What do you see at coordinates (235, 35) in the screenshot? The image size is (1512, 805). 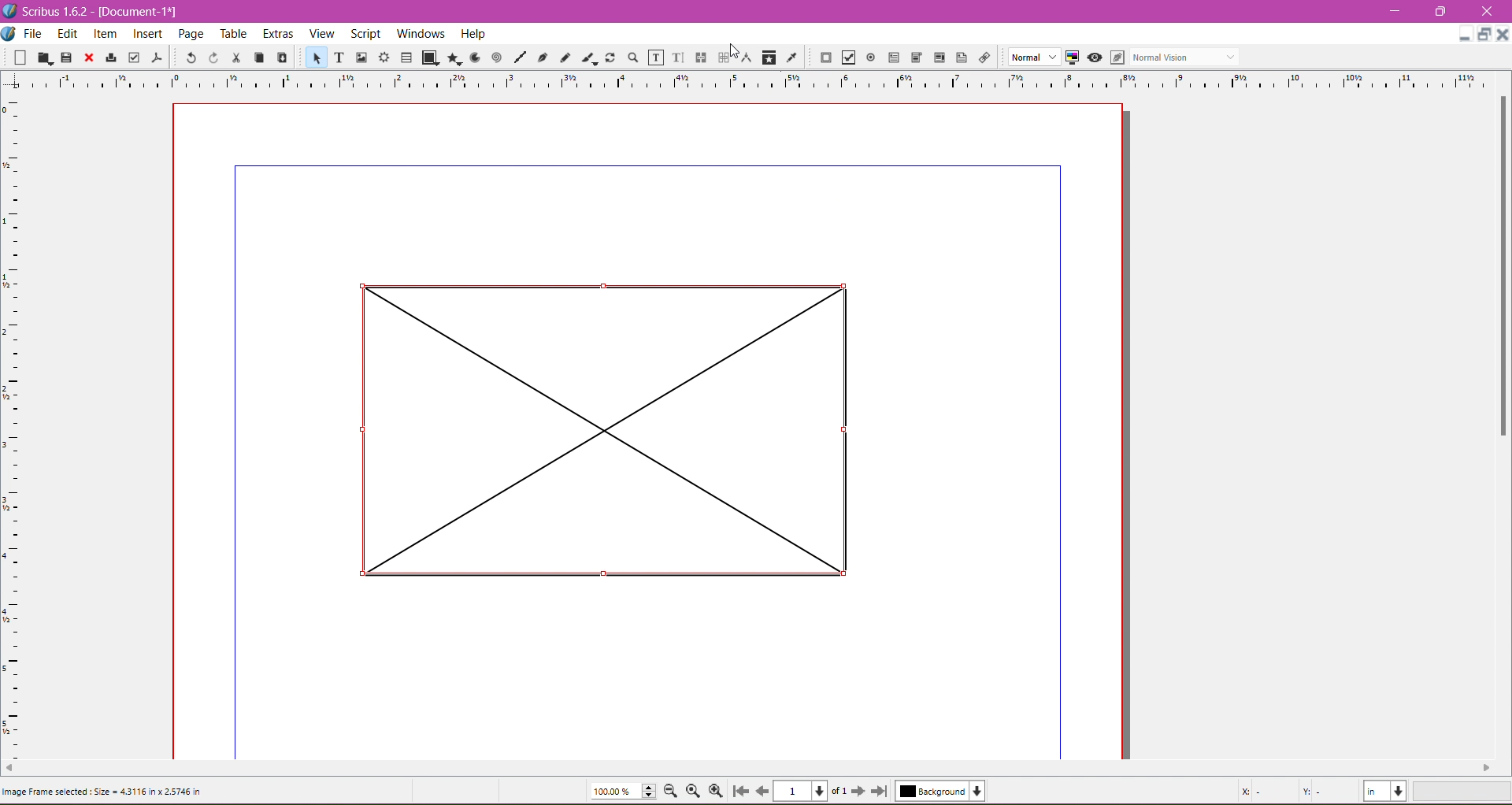 I see `Table` at bounding box center [235, 35].